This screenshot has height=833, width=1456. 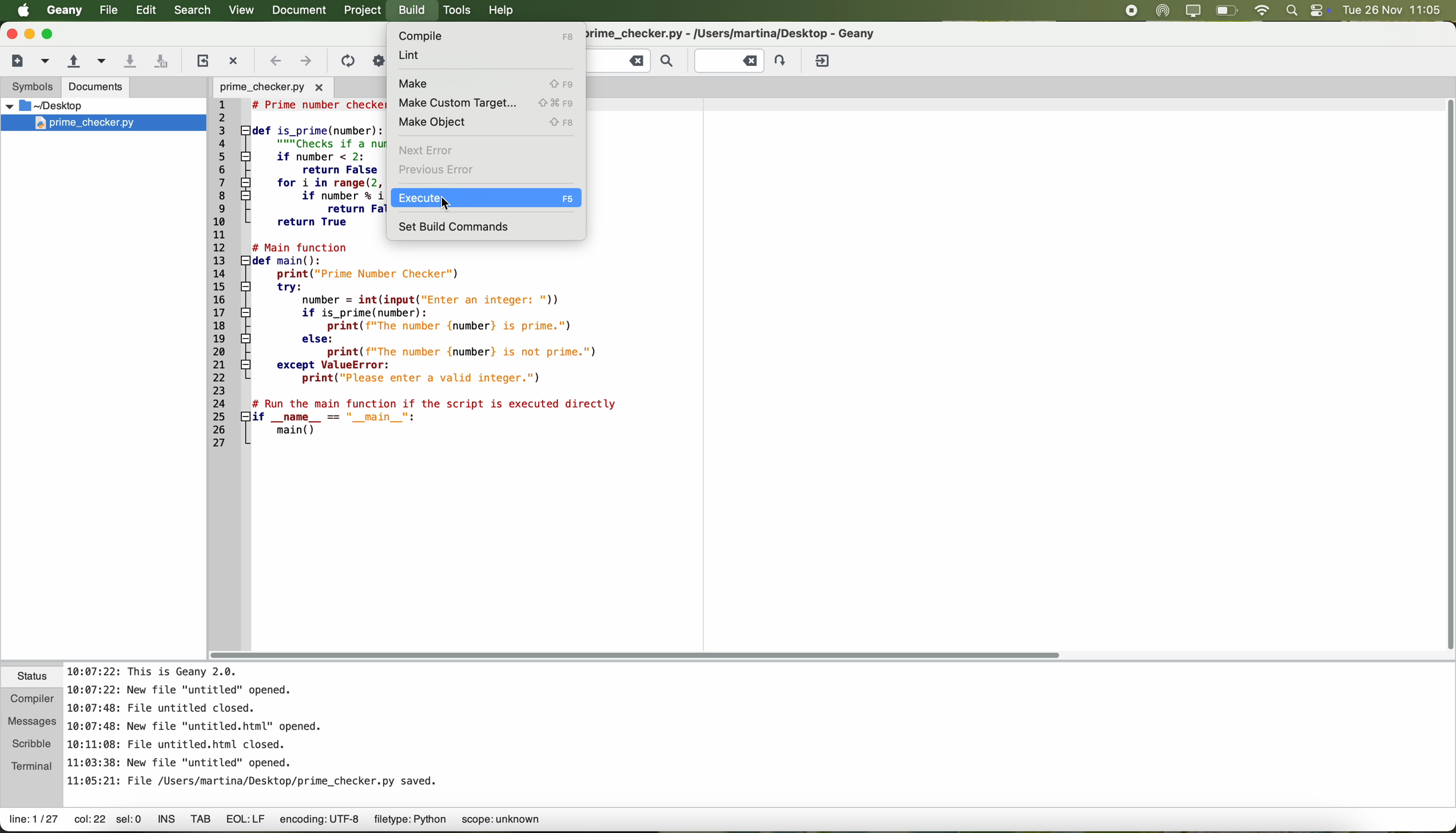 What do you see at coordinates (506, 12) in the screenshot?
I see `help` at bounding box center [506, 12].